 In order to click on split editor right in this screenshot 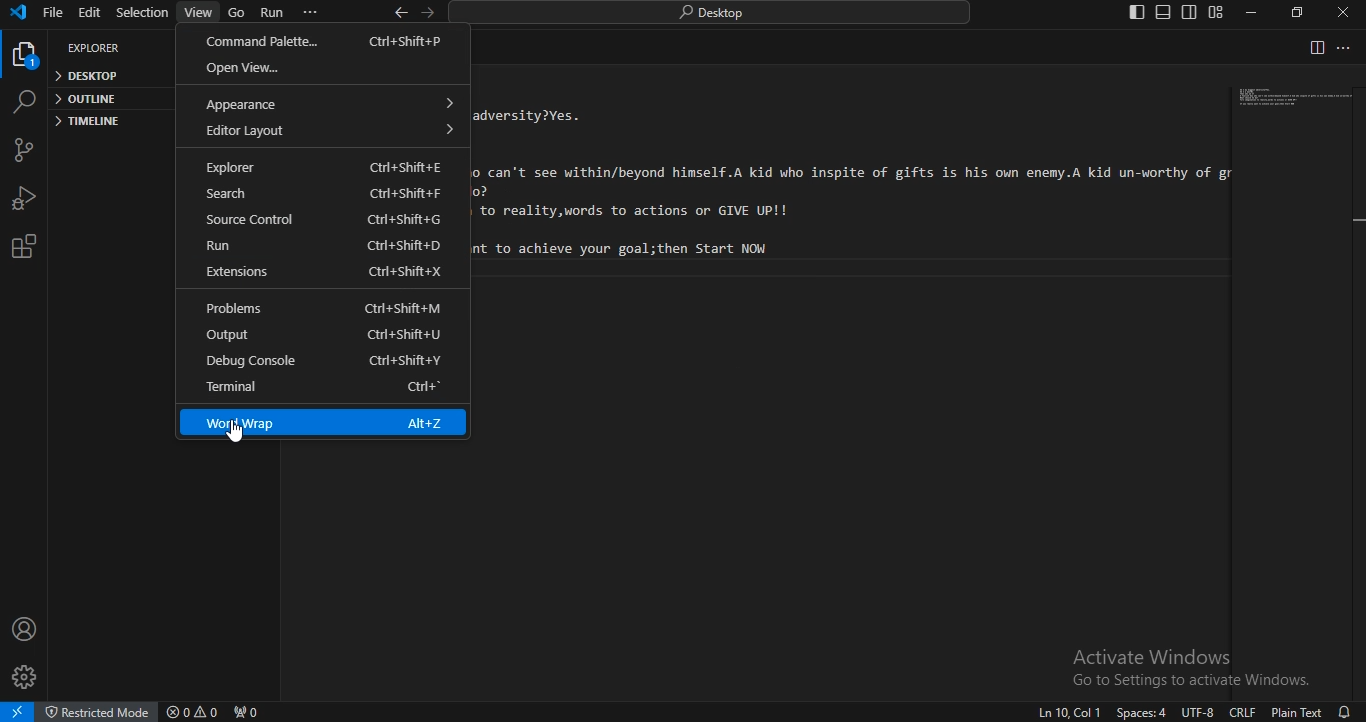, I will do `click(1314, 47)`.